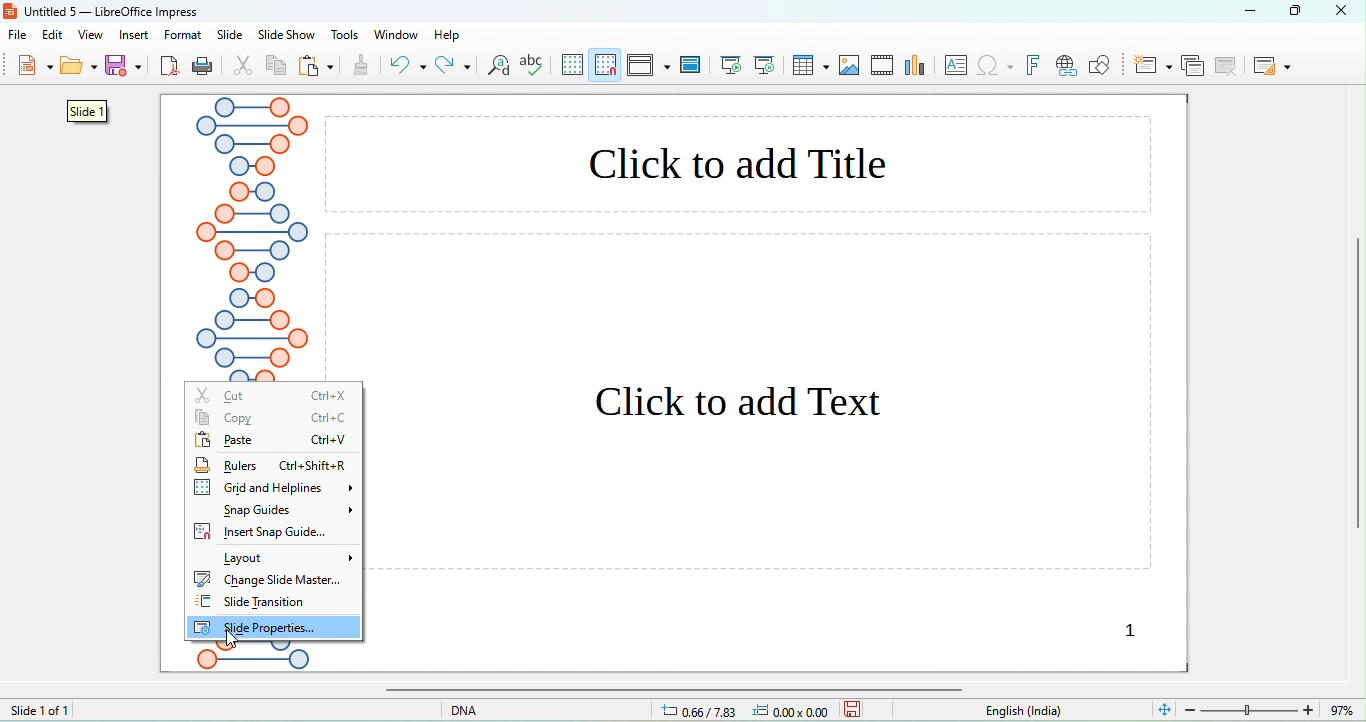 The width and height of the screenshot is (1366, 722). I want to click on slide transition, so click(265, 601).